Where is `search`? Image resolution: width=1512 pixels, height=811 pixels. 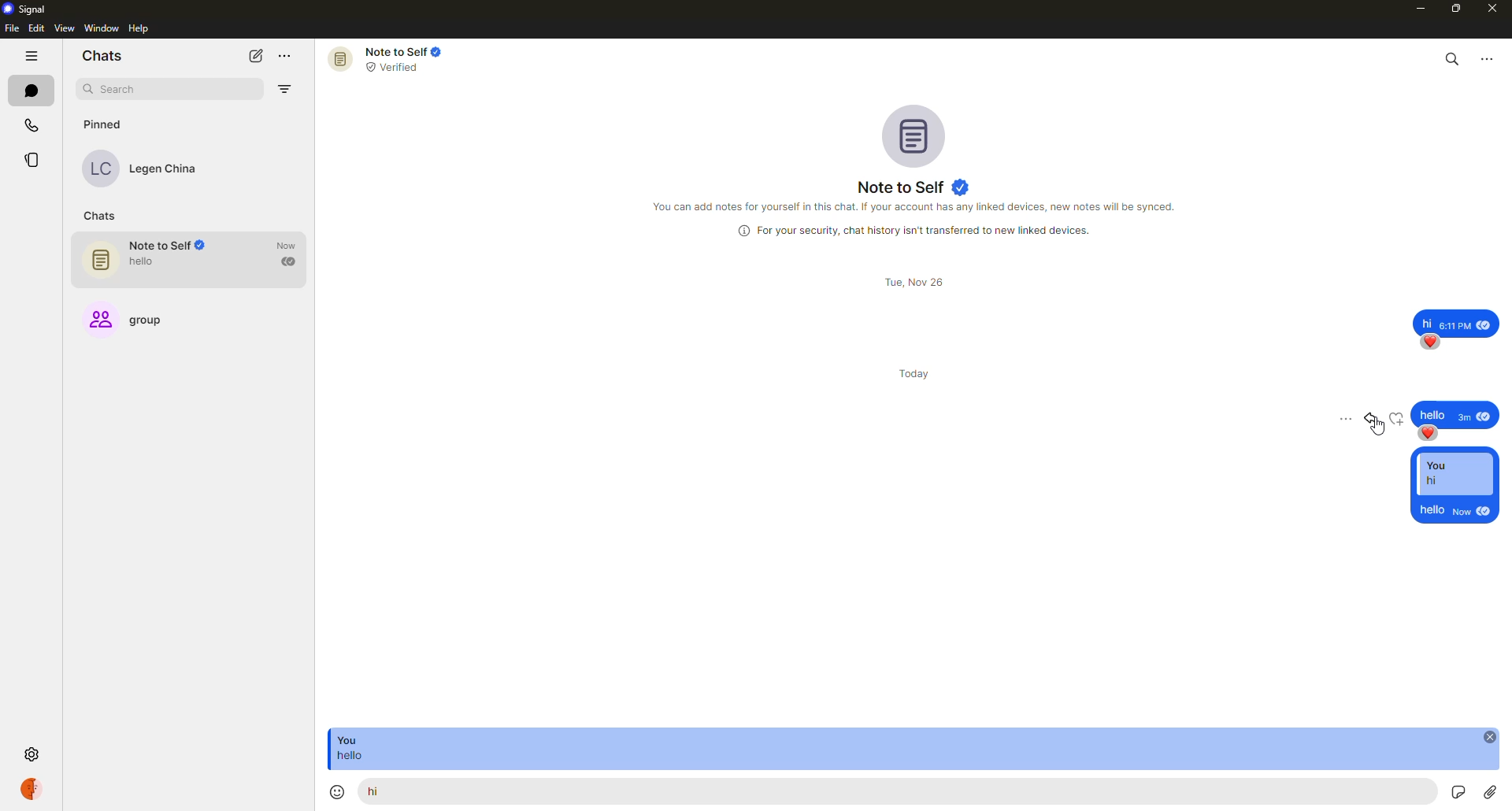 search is located at coordinates (1453, 57).